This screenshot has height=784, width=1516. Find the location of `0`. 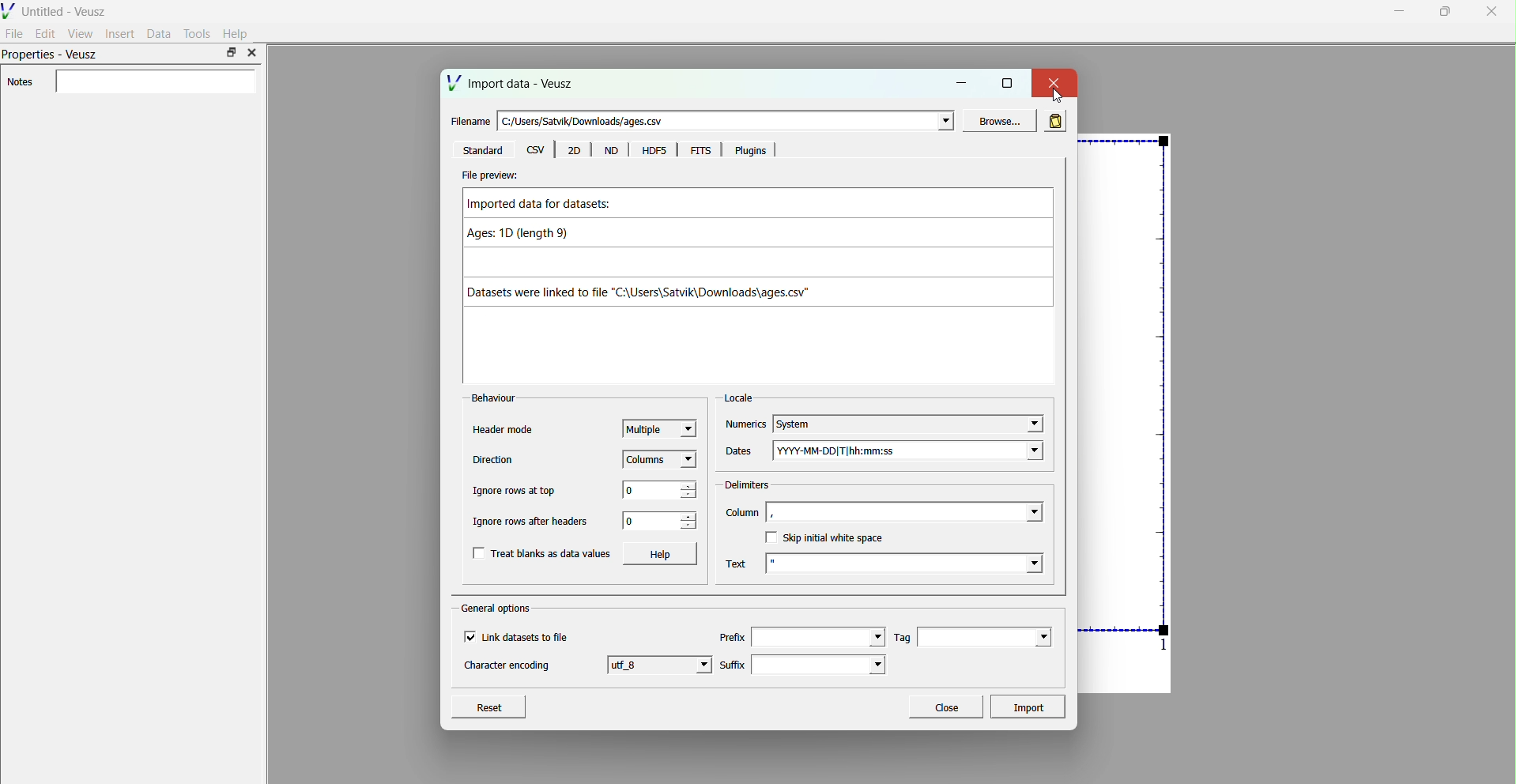

0 is located at coordinates (648, 489).